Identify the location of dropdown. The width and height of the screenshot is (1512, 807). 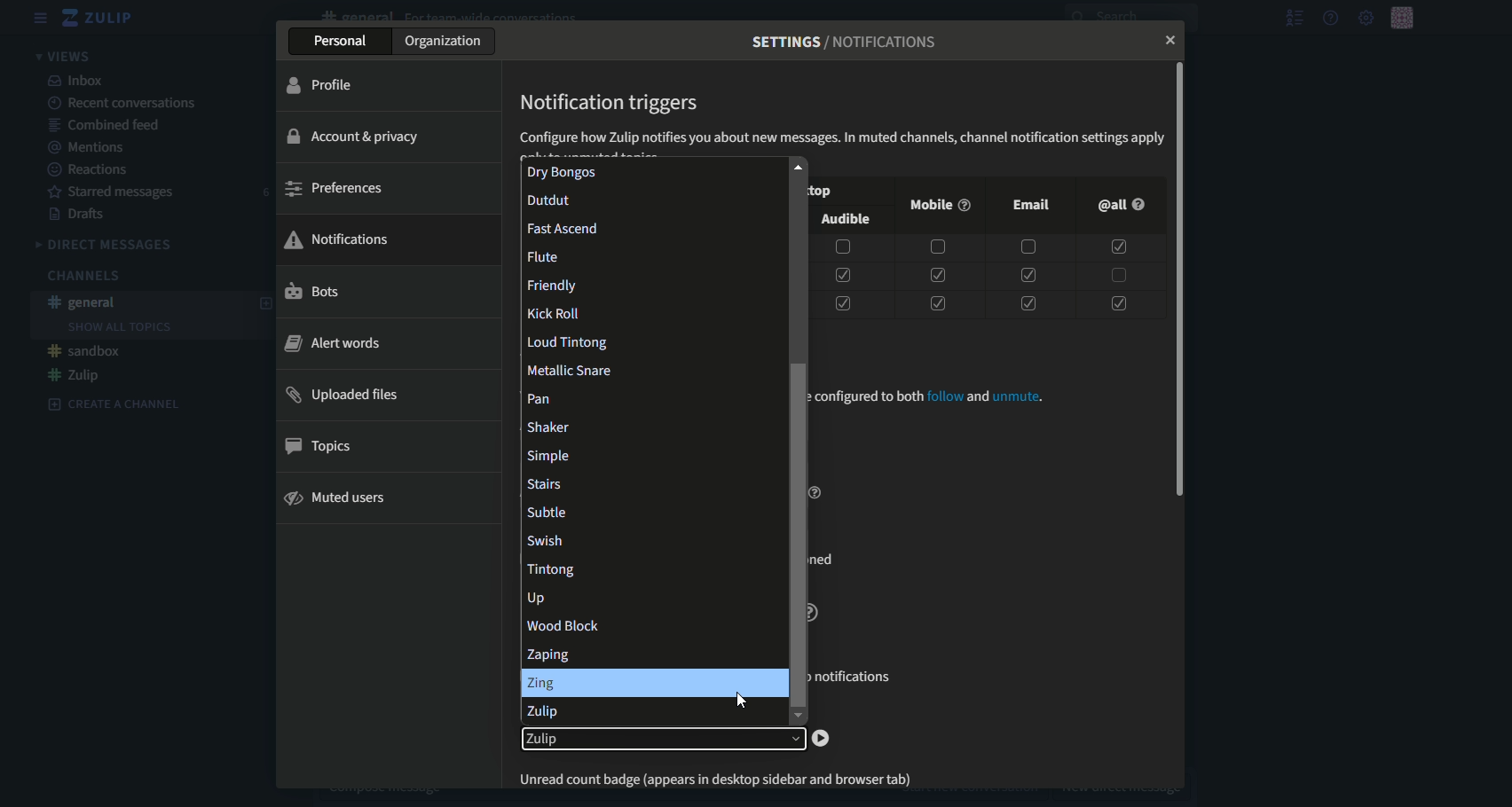
(662, 740).